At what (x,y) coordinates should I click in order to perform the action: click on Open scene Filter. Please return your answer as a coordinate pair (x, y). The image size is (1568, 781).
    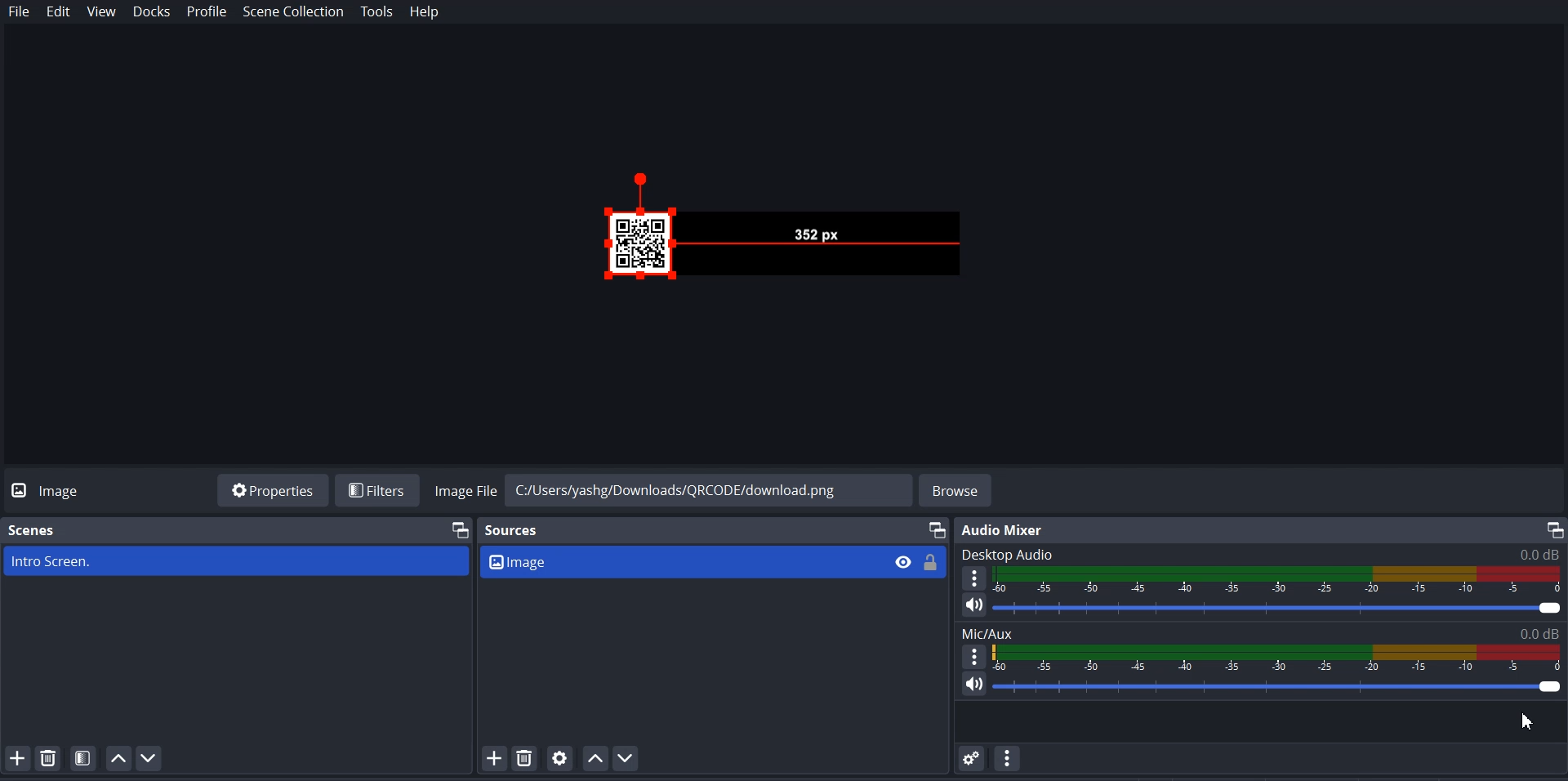
    Looking at the image, I should click on (83, 756).